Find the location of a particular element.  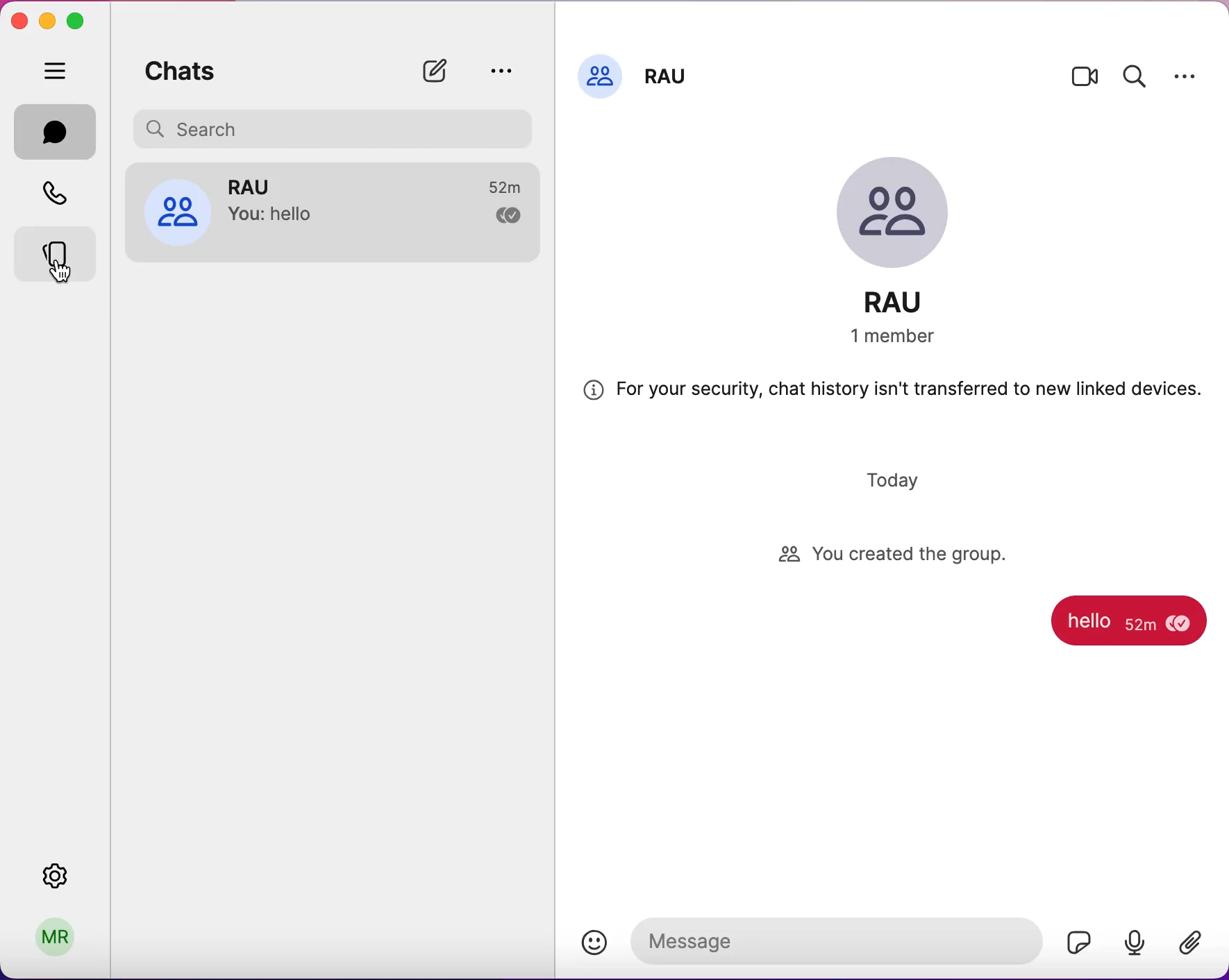

group picture is located at coordinates (910, 209).